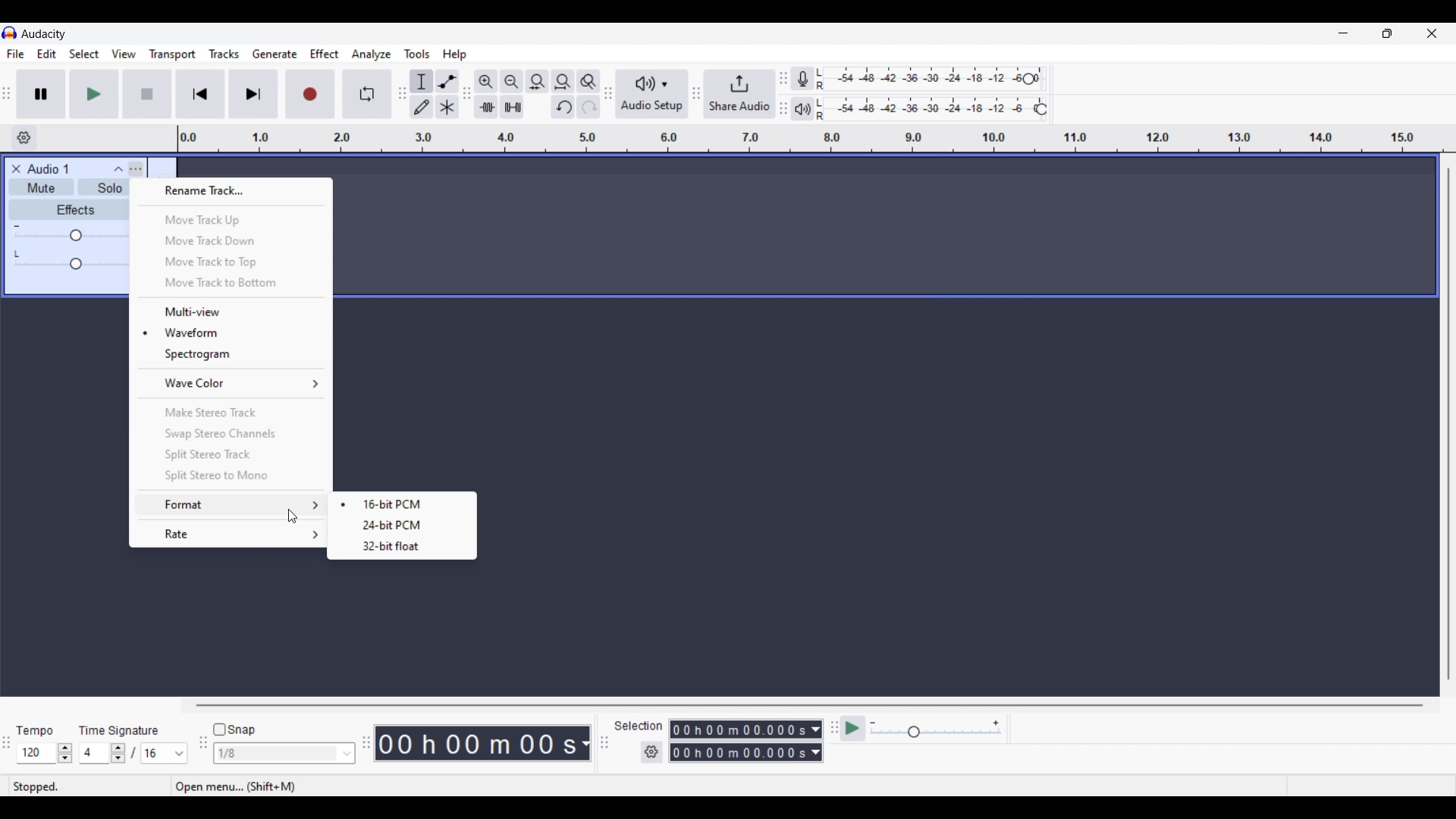 The image size is (1456, 819). I want to click on L, so click(18, 253).